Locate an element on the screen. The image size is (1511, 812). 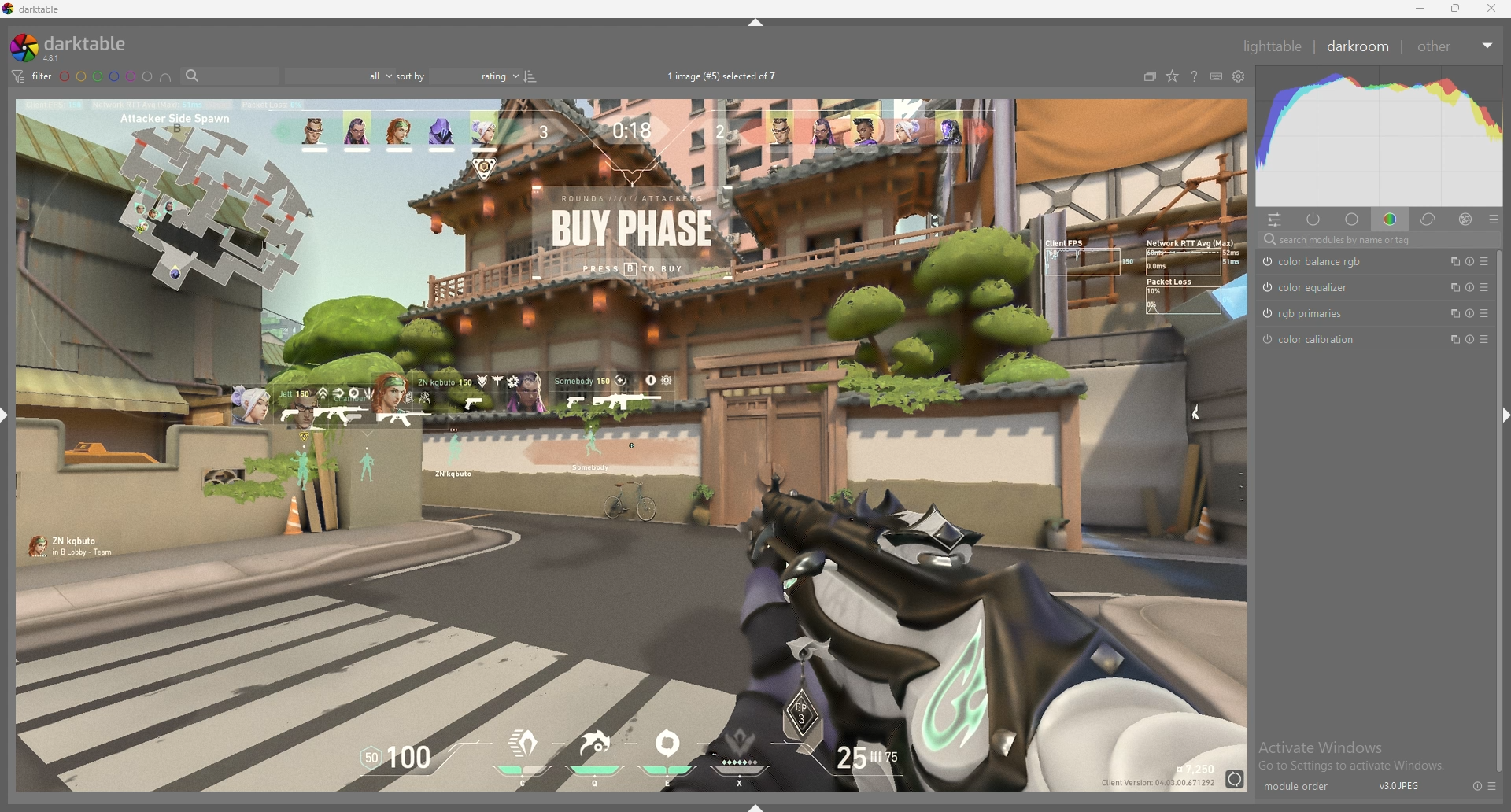
reset is located at coordinates (1469, 338).